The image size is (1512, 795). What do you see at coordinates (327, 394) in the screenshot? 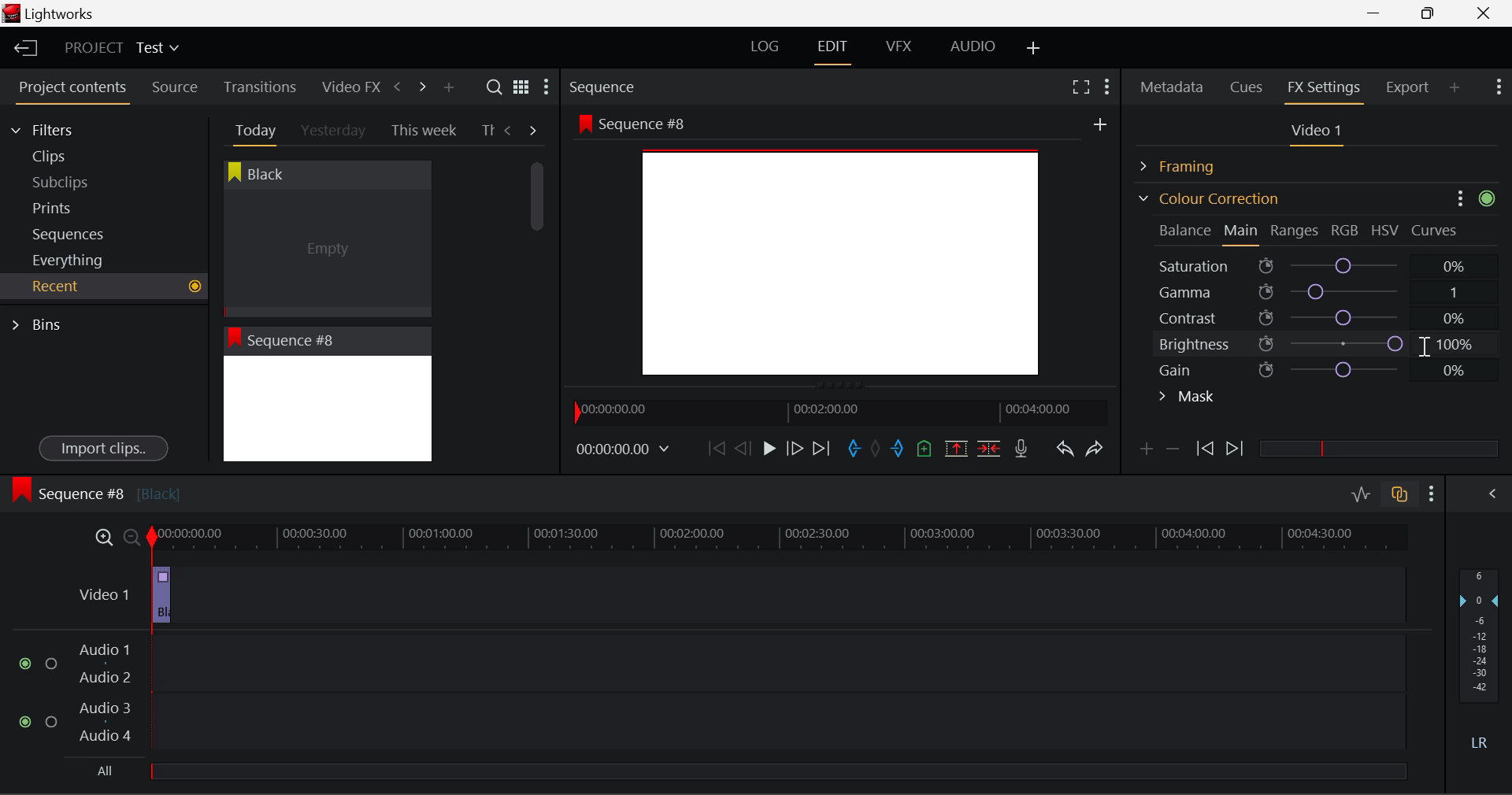
I see `Sequence #8 Preview Changed to White` at bounding box center [327, 394].